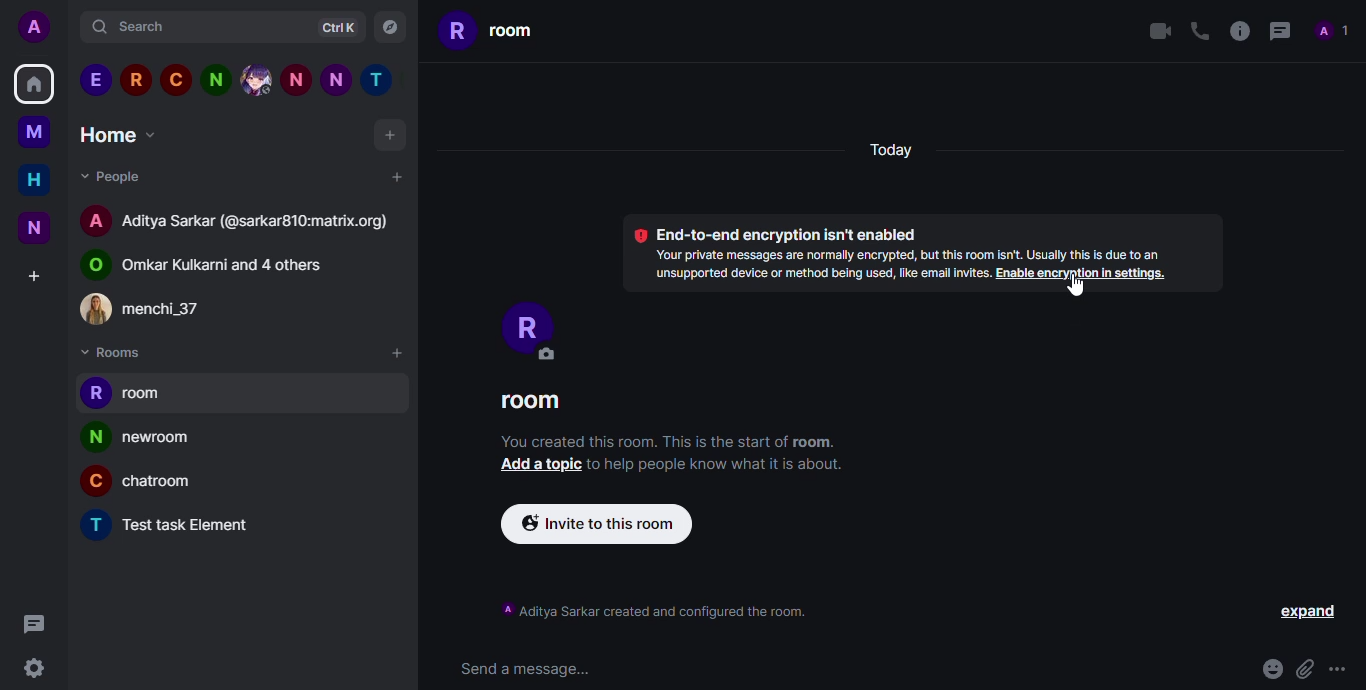 This screenshot has height=690, width=1366. I want to click on more, so click(1341, 669).